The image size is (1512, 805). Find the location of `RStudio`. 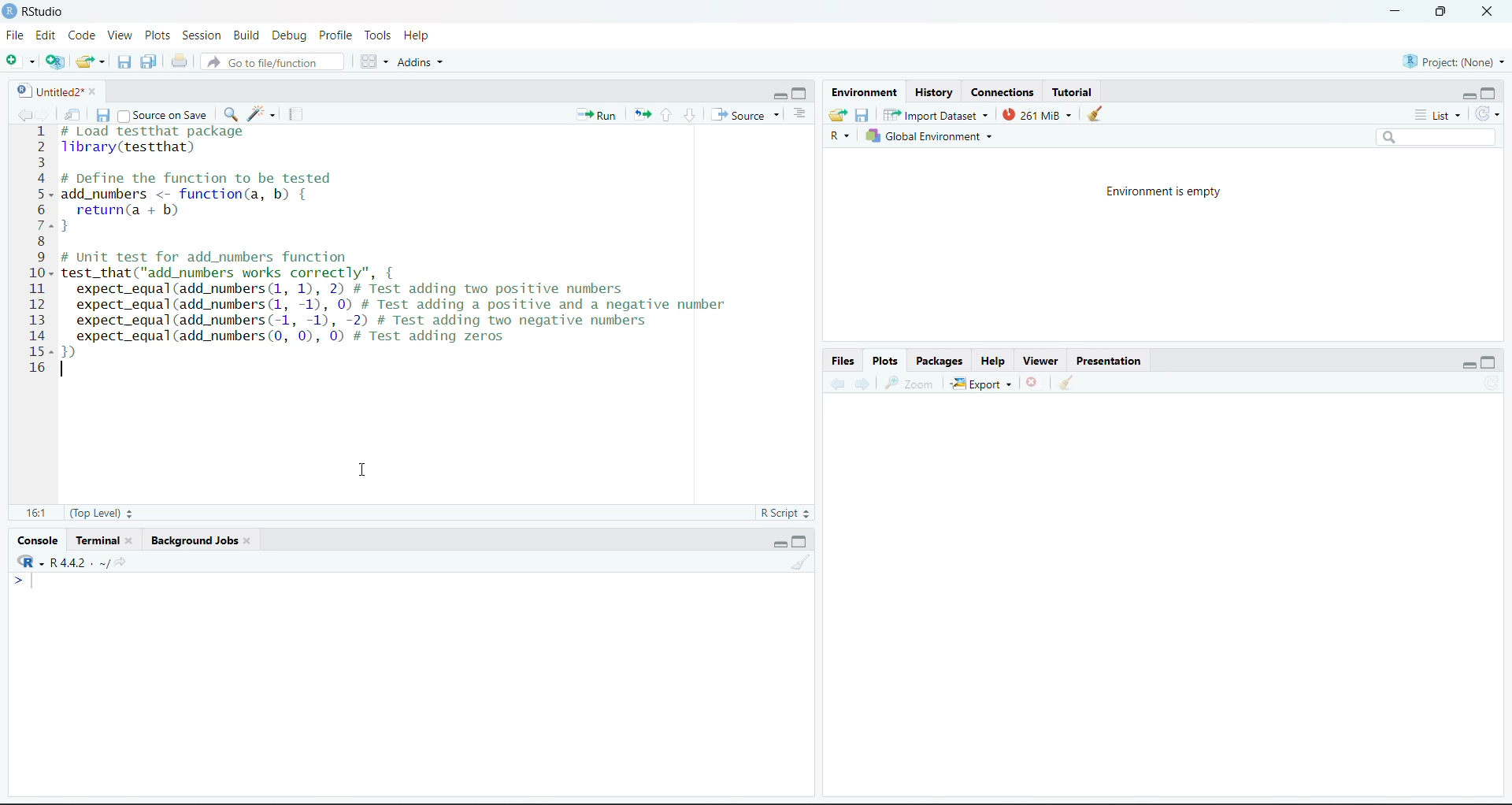

RStudio is located at coordinates (43, 12).